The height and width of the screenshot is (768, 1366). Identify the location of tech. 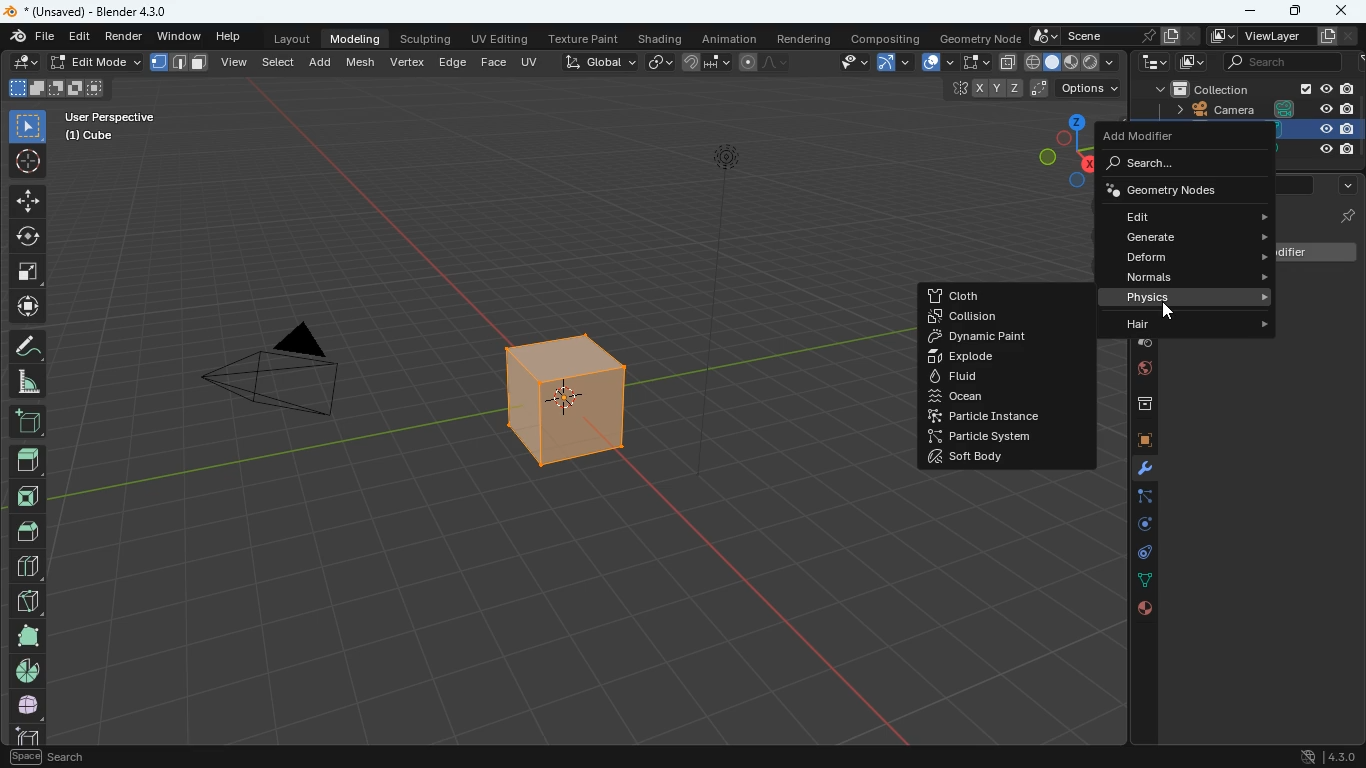
(1151, 62).